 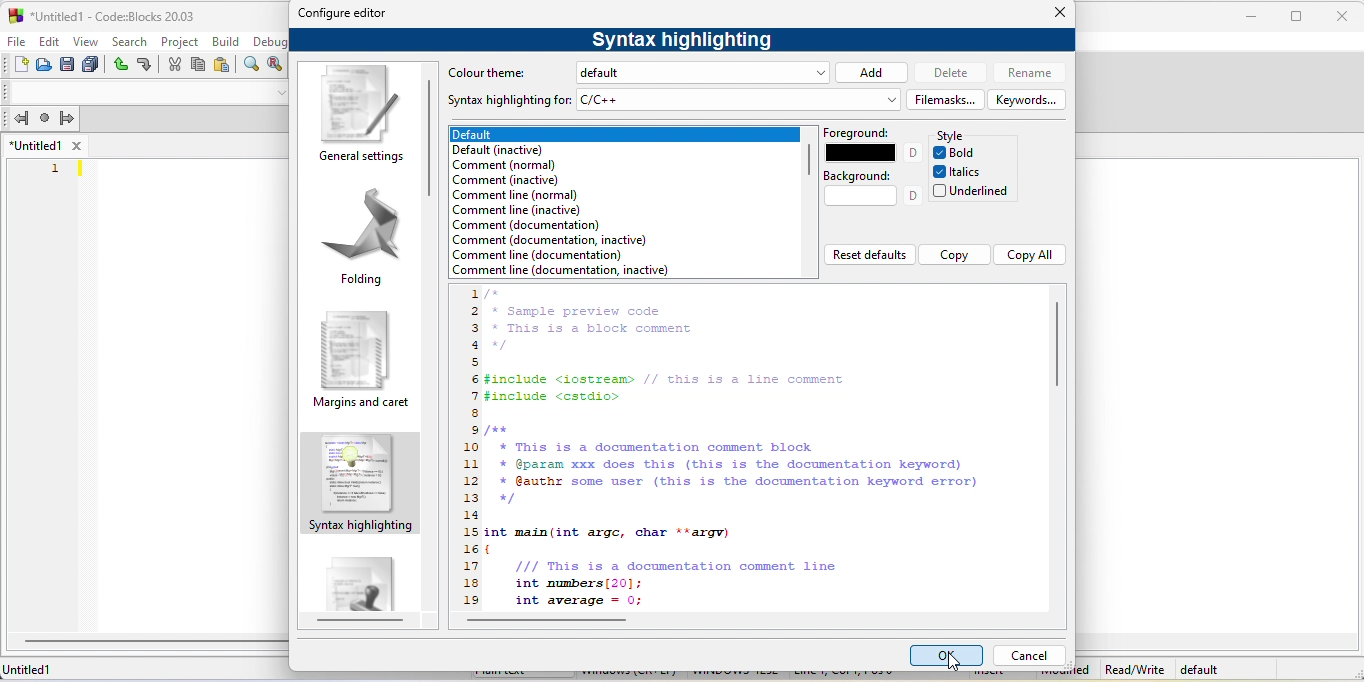 I want to click on default code, so click(x=360, y=577).